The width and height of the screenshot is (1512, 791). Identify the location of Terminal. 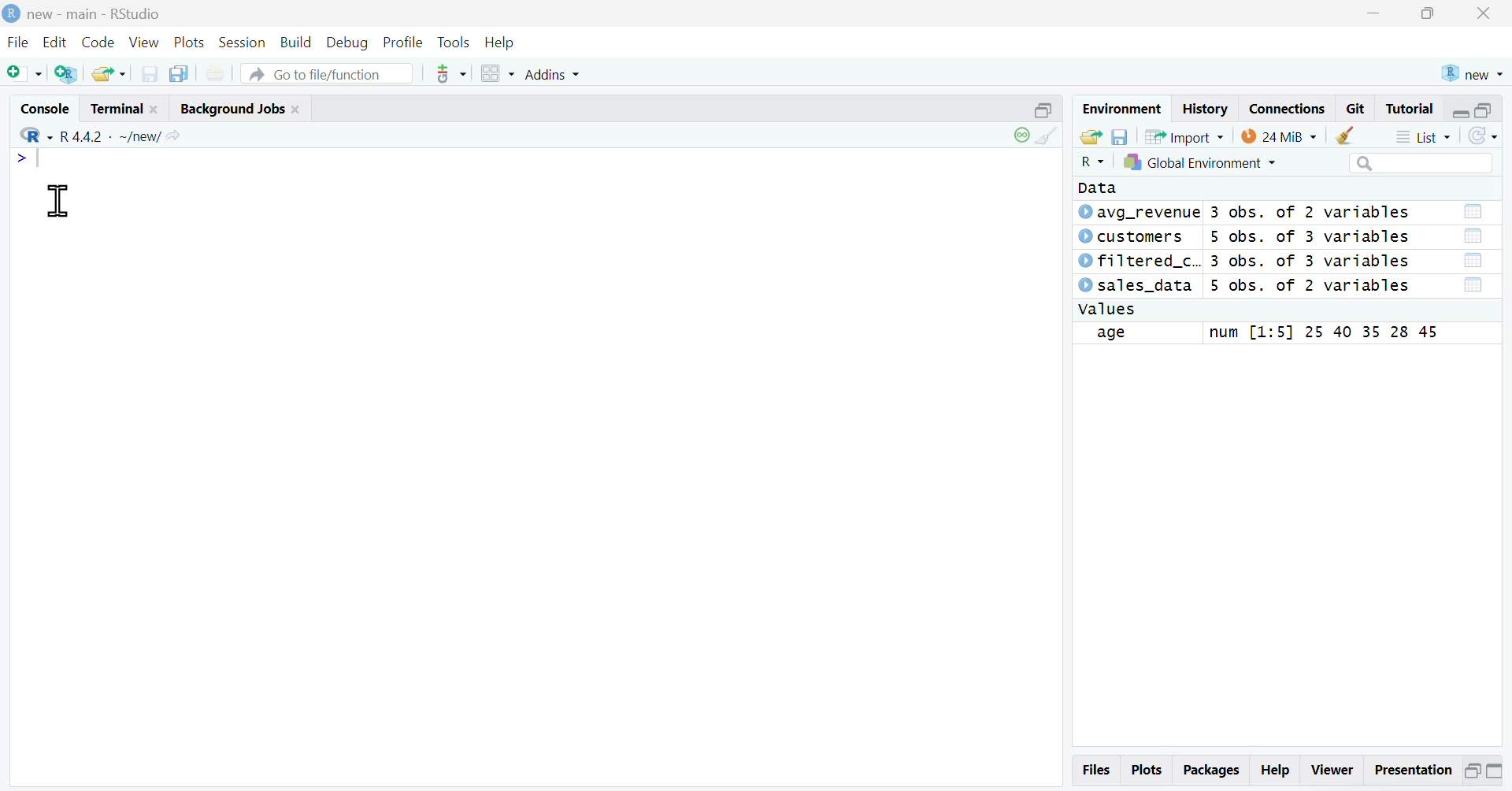
(126, 108).